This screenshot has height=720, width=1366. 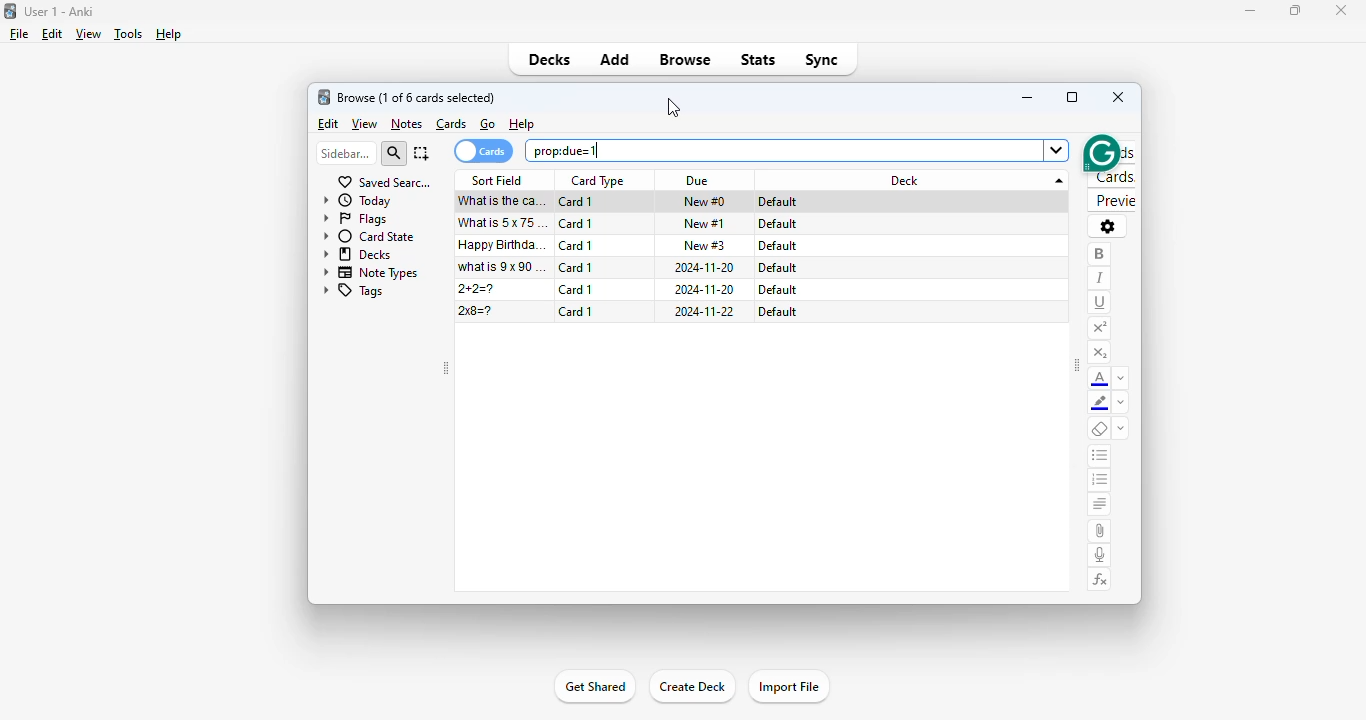 What do you see at coordinates (797, 150) in the screenshot?
I see `search bar` at bounding box center [797, 150].